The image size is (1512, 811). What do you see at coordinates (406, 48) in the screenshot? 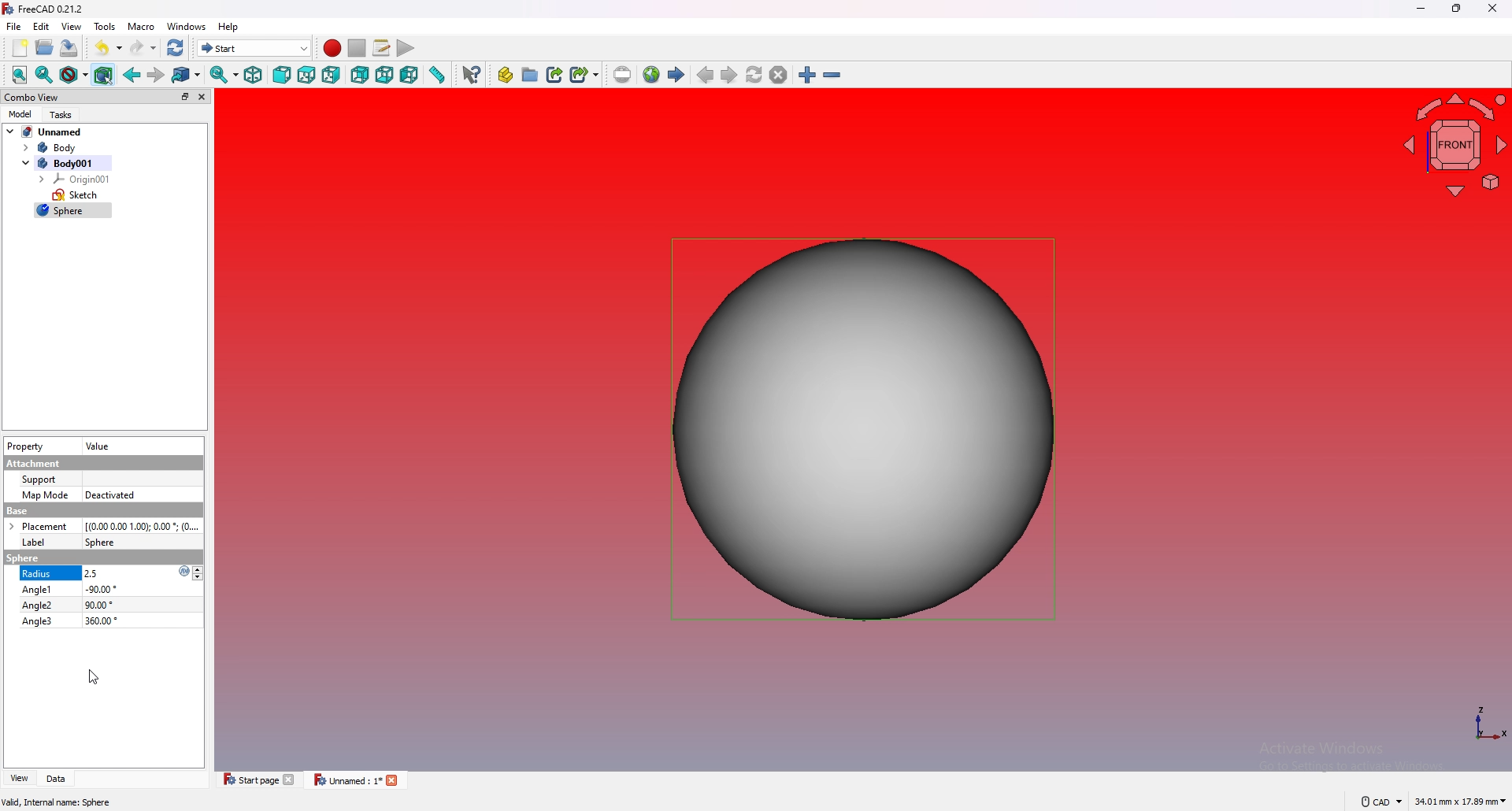
I see `execute macro` at bounding box center [406, 48].